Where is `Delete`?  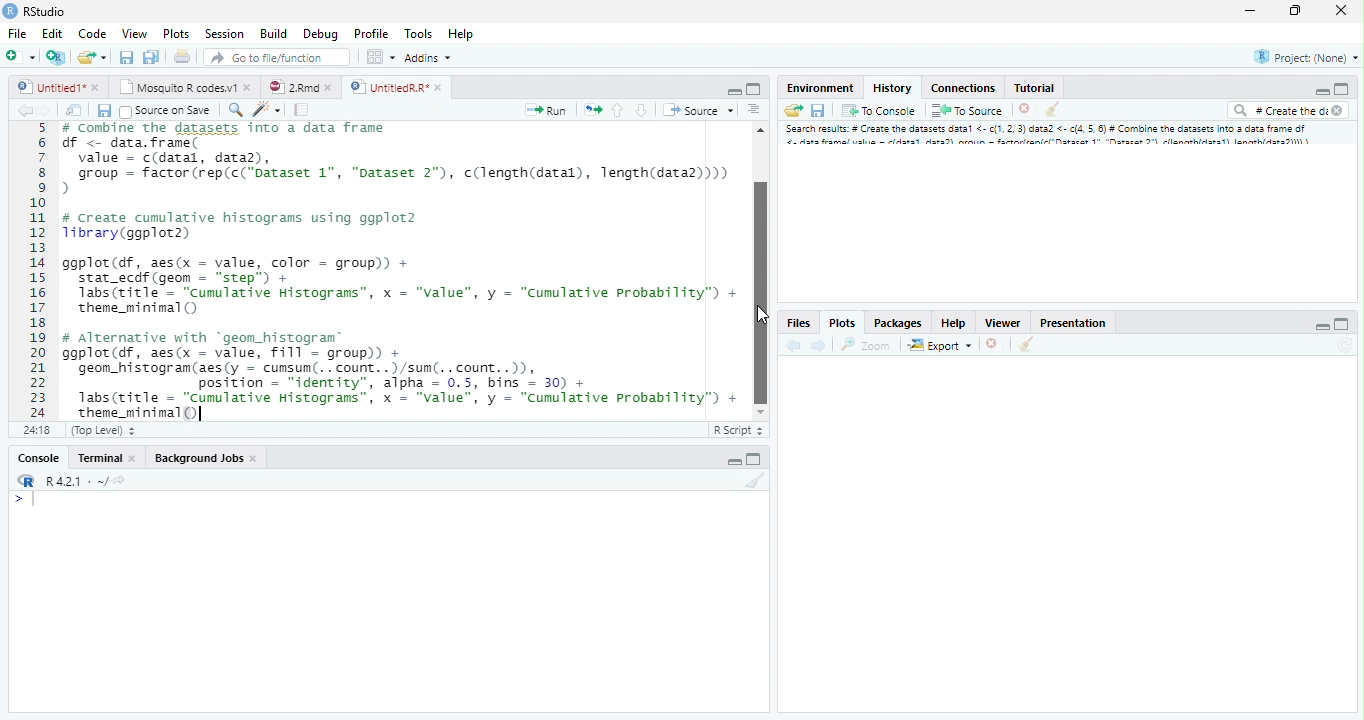 Delete is located at coordinates (1025, 109).